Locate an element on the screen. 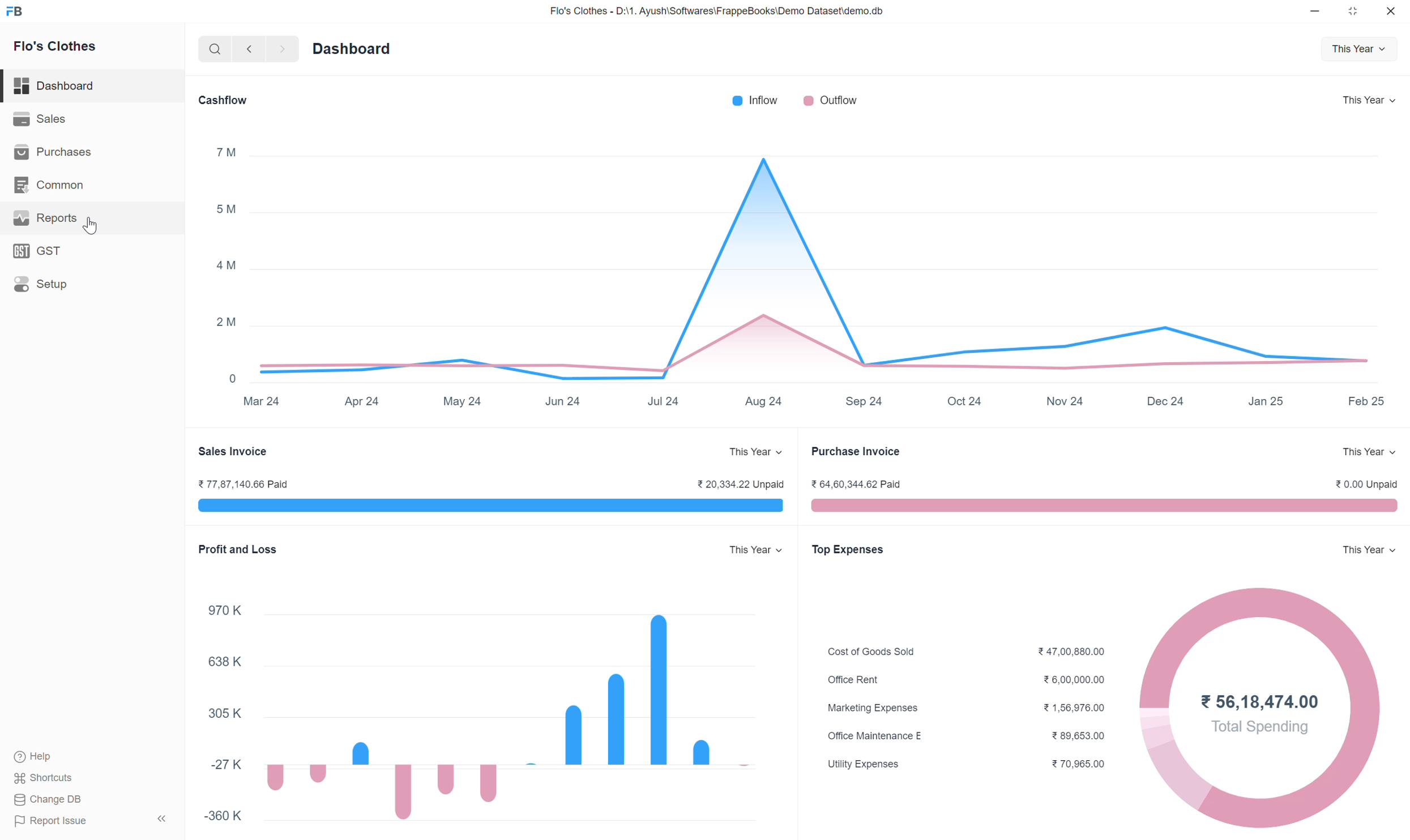  feb 25 is located at coordinates (1365, 401).